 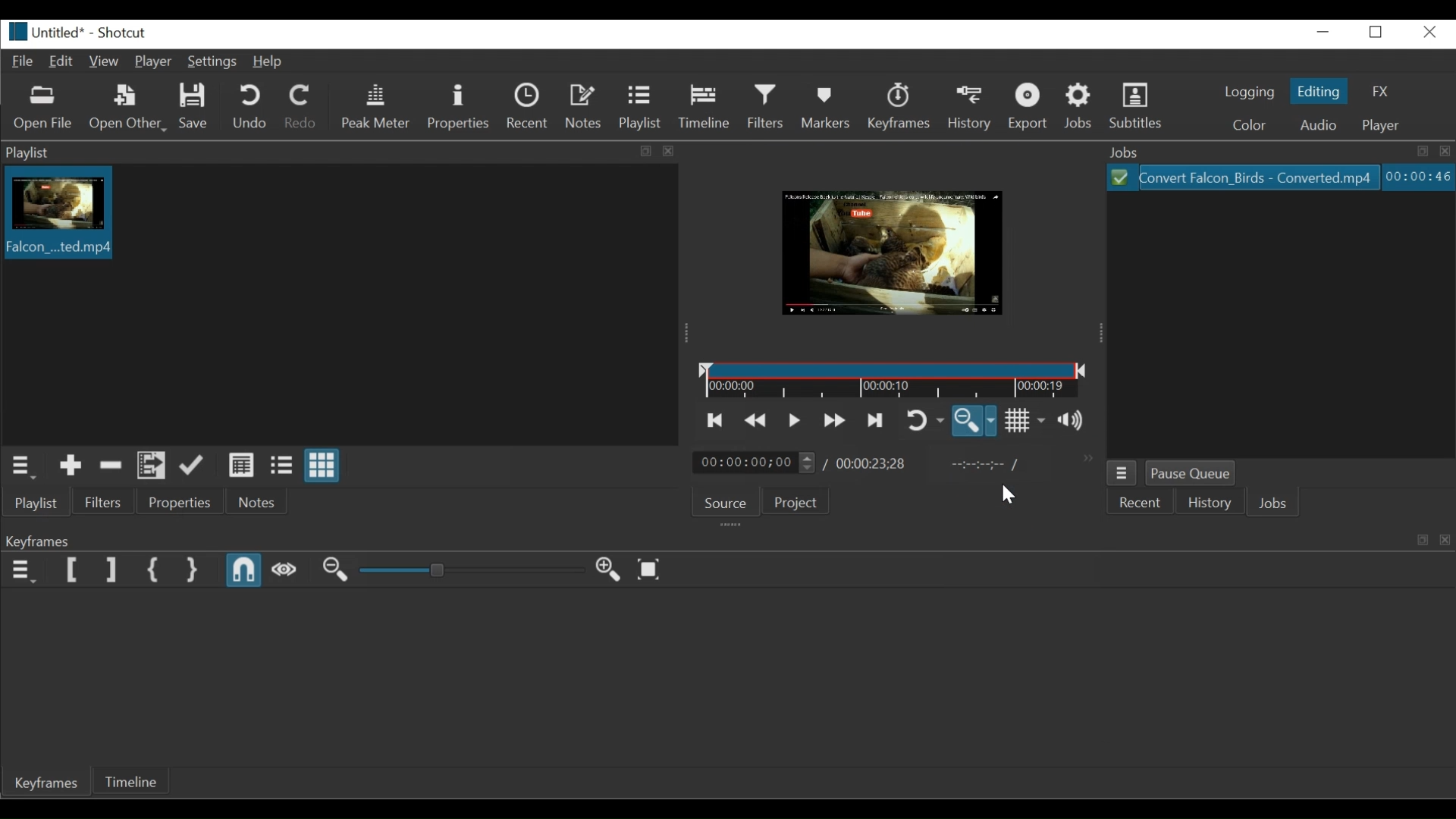 What do you see at coordinates (1418, 177) in the screenshot?
I see `Elapsed Hours: Minutes: Seconds` at bounding box center [1418, 177].